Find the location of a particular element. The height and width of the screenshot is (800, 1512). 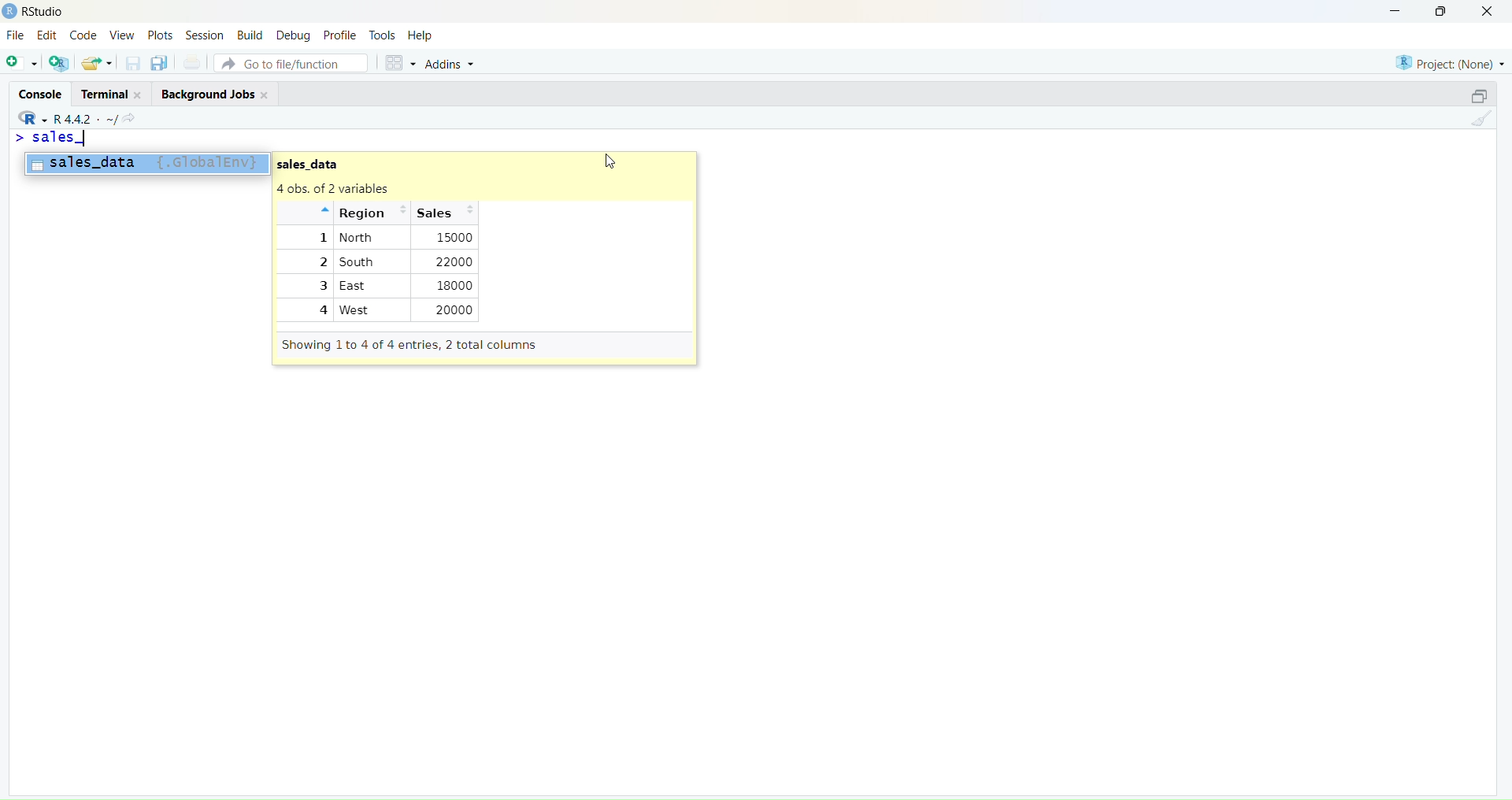

maximise is located at coordinates (1471, 94).